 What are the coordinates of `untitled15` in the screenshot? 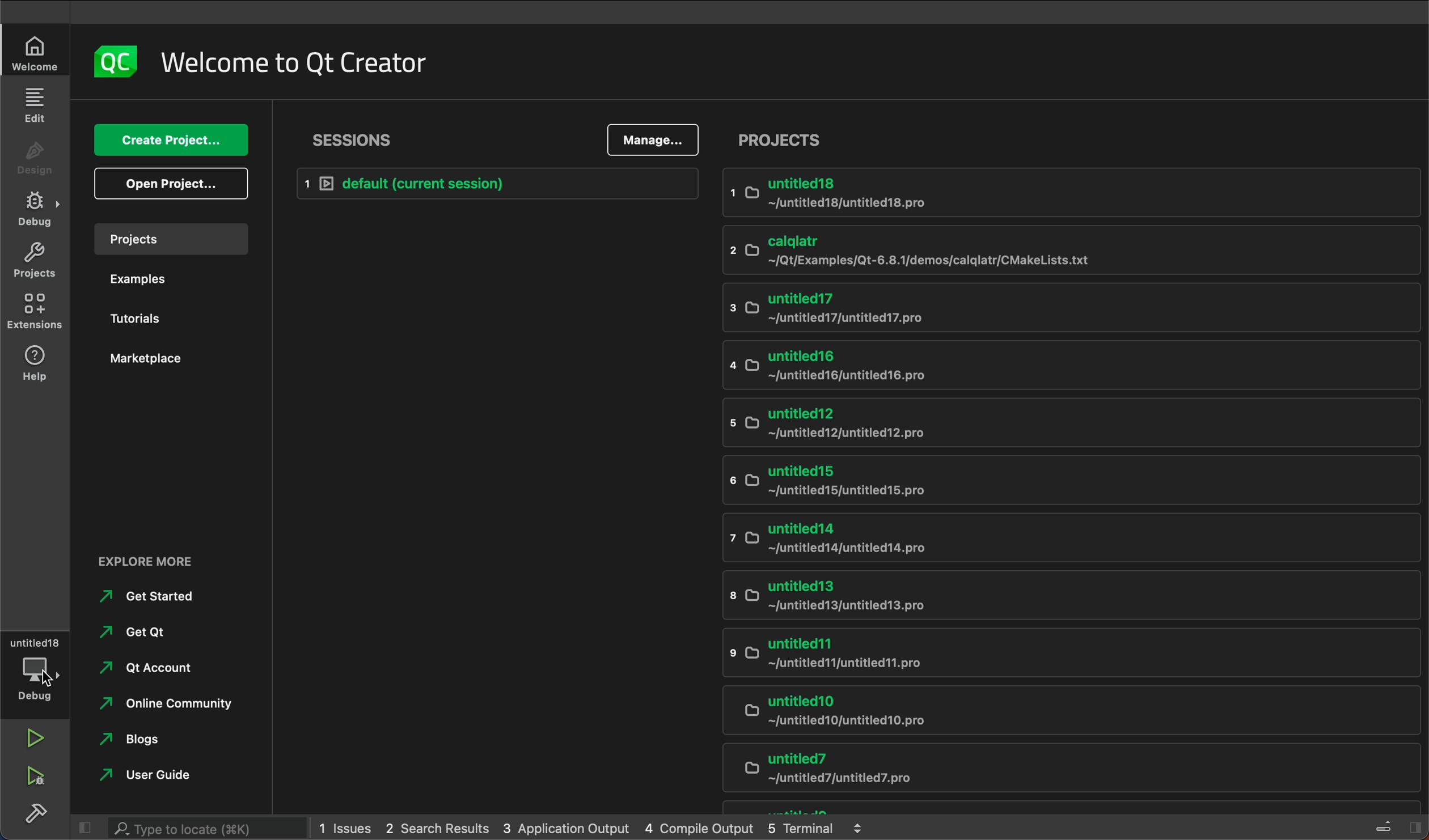 It's located at (1008, 482).